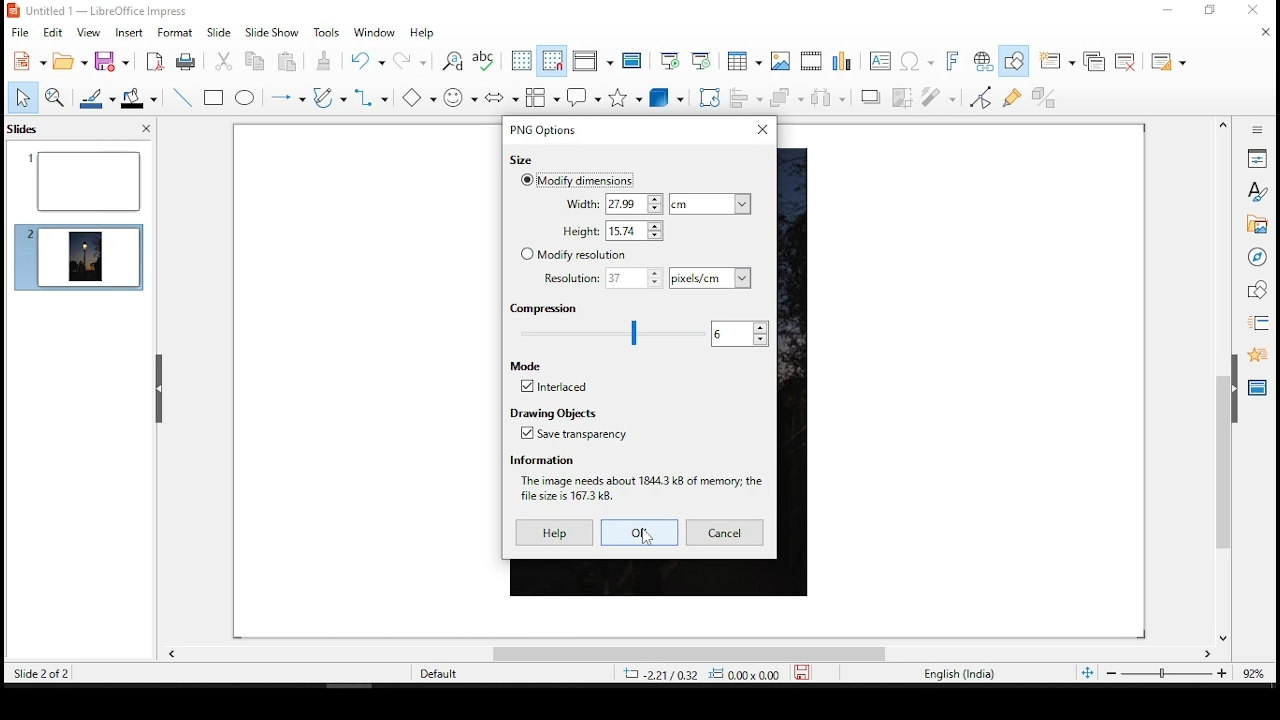 Image resolution: width=1280 pixels, height=720 pixels. I want to click on width, so click(612, 204).